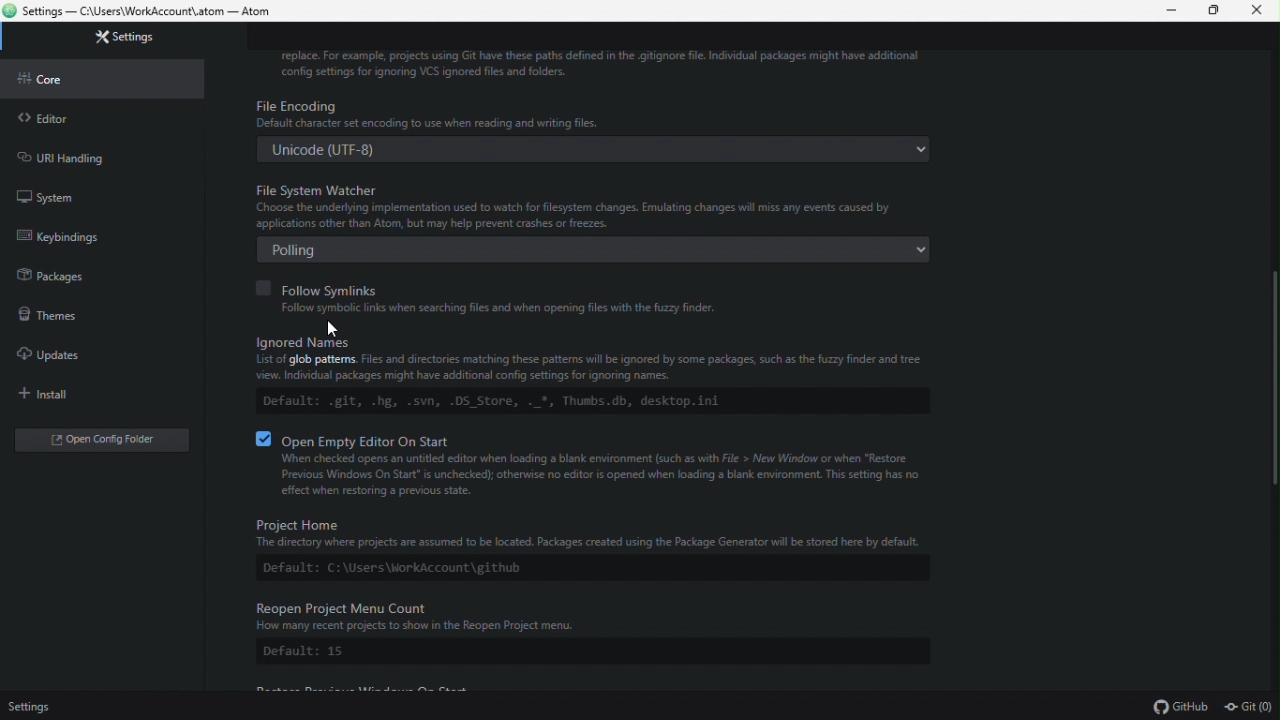 The image size is (1280, 720). Describe the element at coordinates (87, 392) in the screenshot. I see `install` at that location.